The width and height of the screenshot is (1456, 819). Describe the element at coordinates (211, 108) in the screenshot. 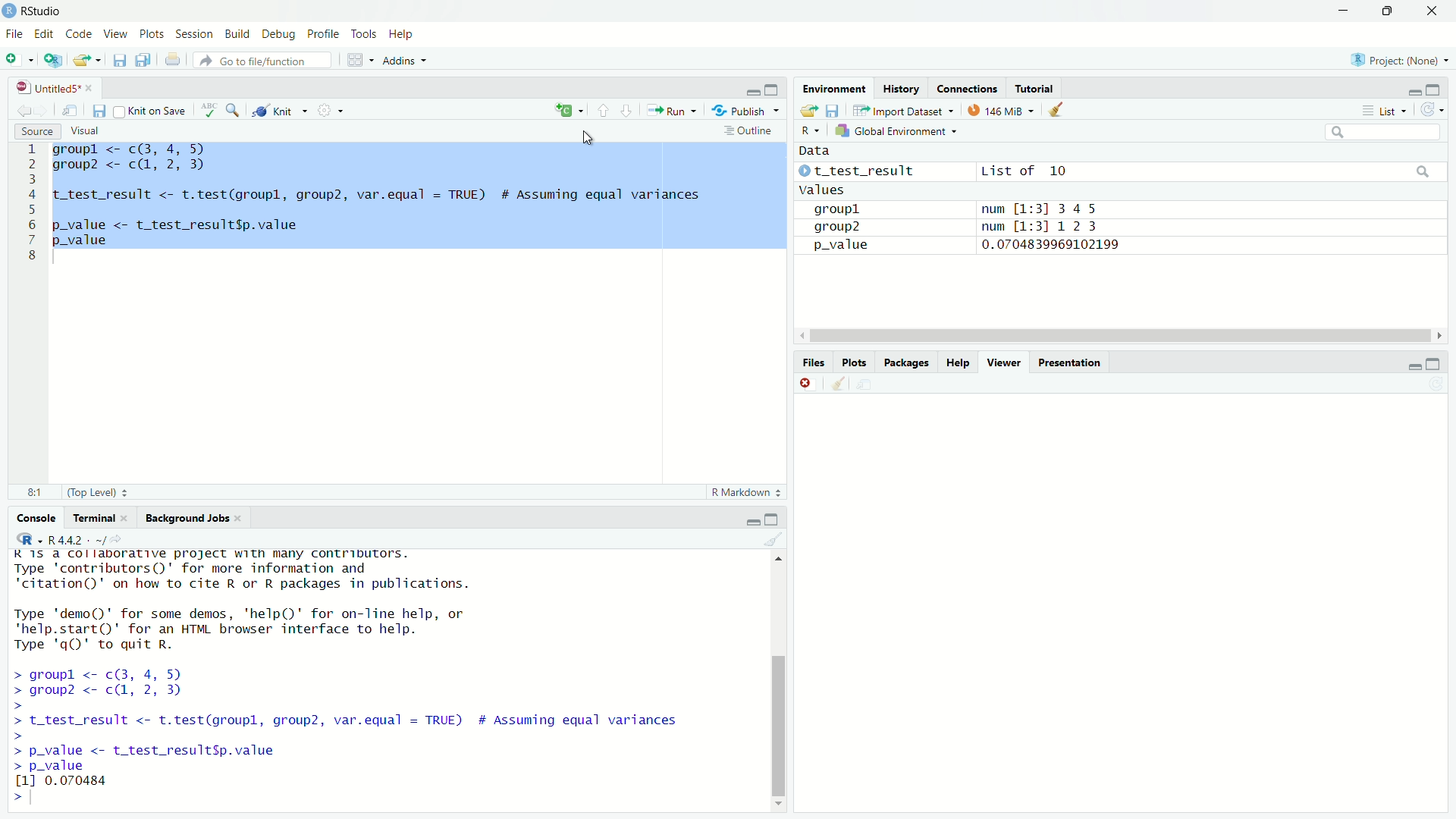

I see `check` at that location.